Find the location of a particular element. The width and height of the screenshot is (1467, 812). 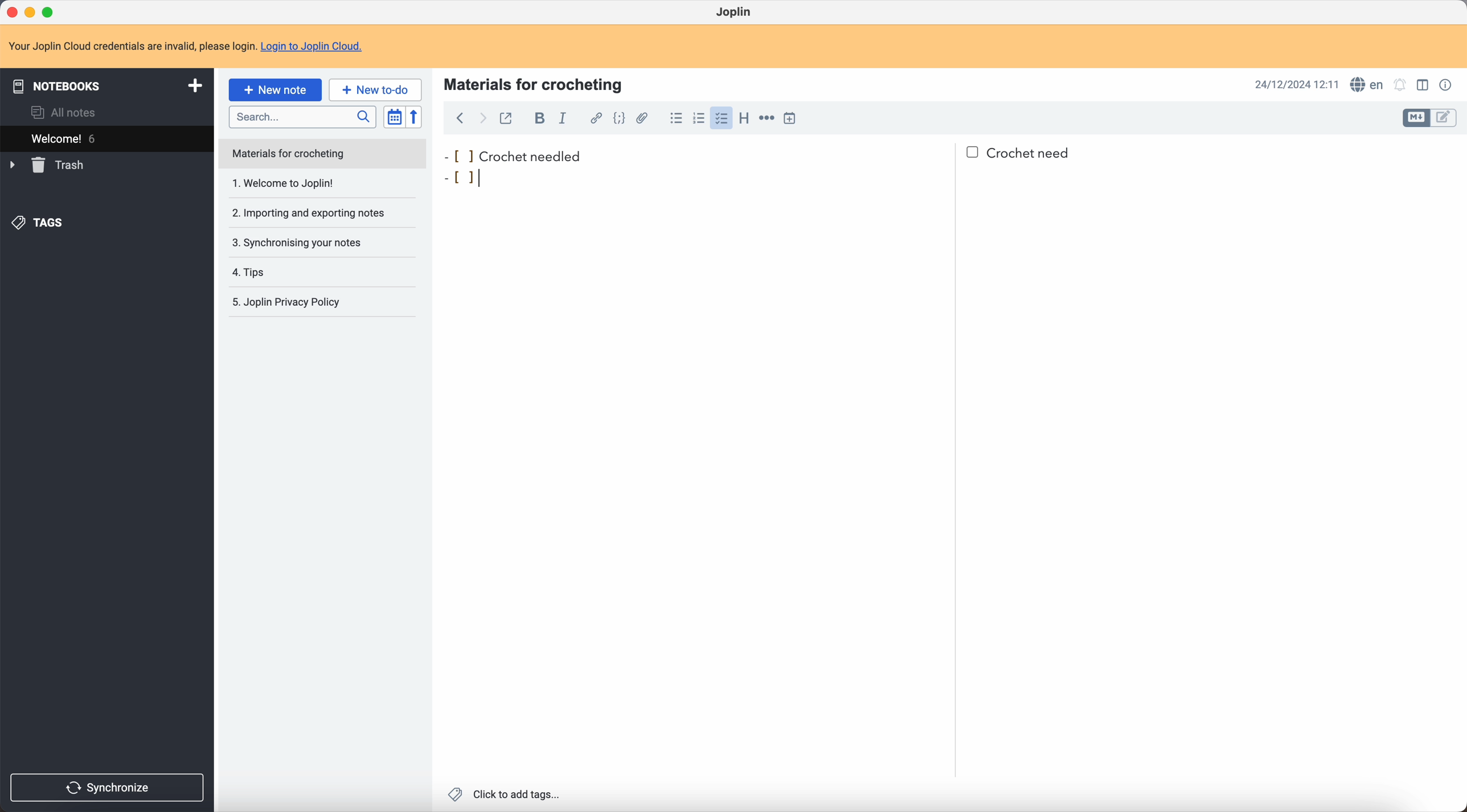

set notificatins is located at coordinates (1400, 86).